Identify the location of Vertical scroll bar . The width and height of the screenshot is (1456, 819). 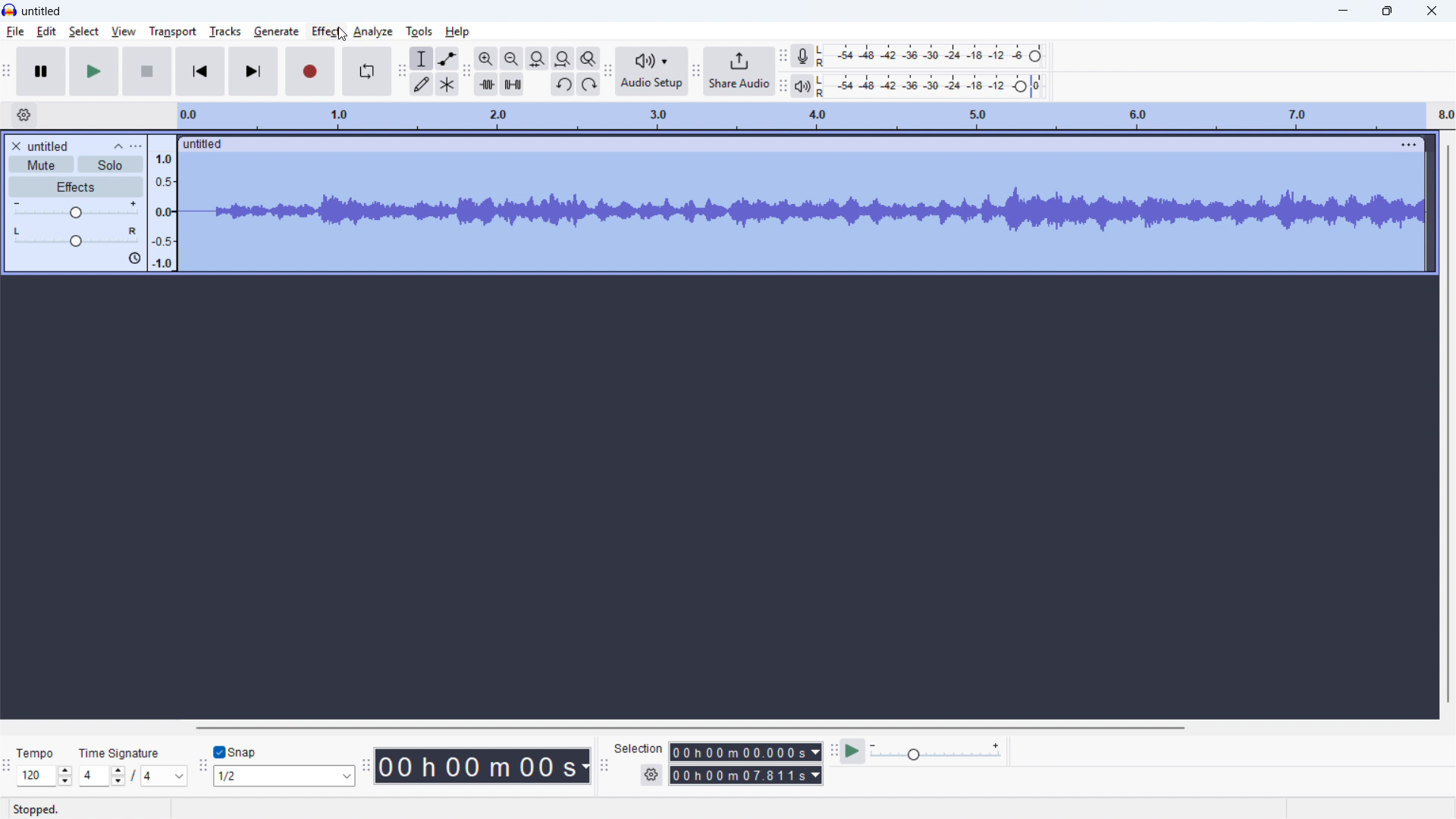
(1448, 424).